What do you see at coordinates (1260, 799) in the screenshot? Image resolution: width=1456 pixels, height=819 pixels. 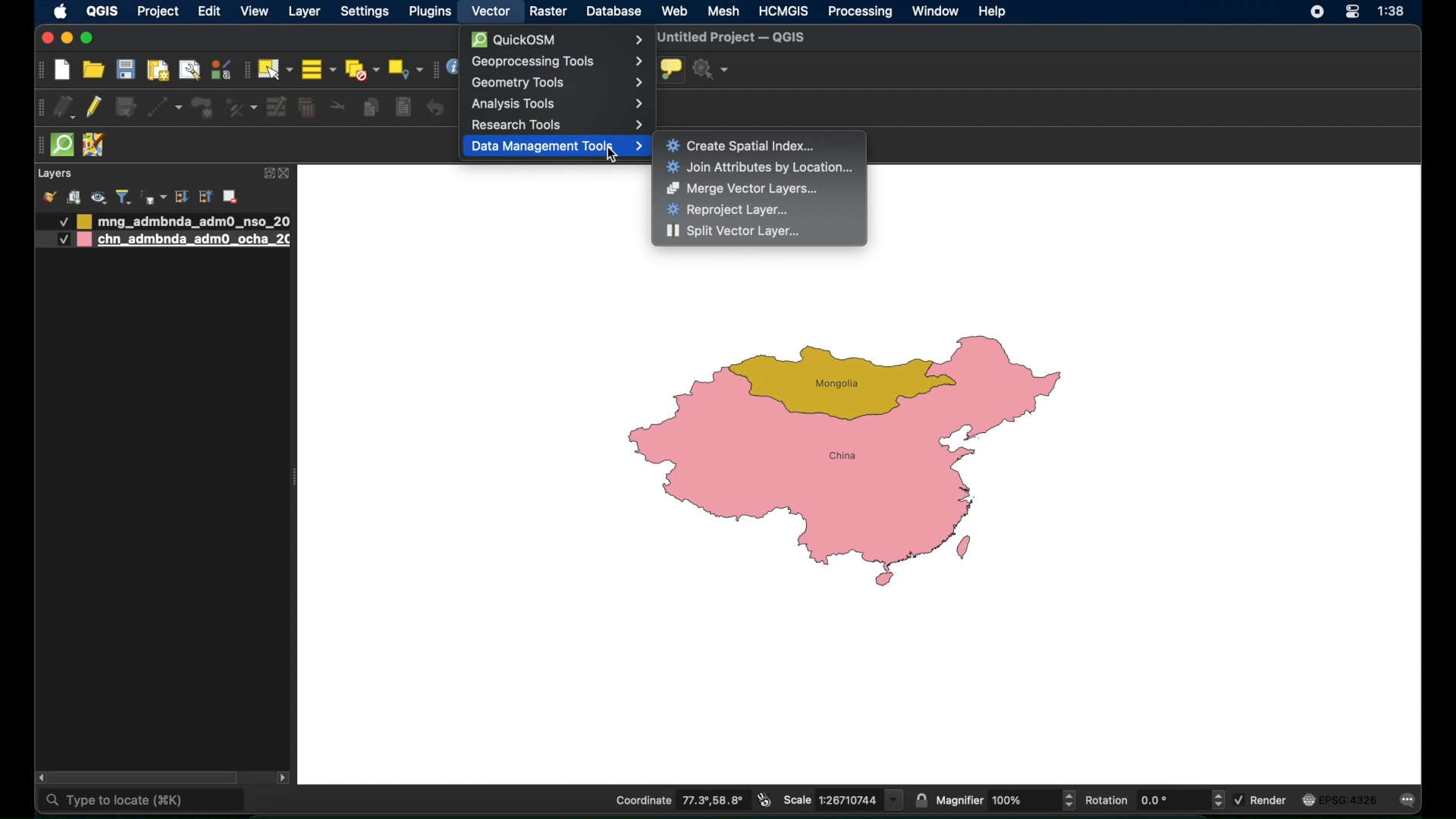 I see `render` at bounding box center [1260, 799].